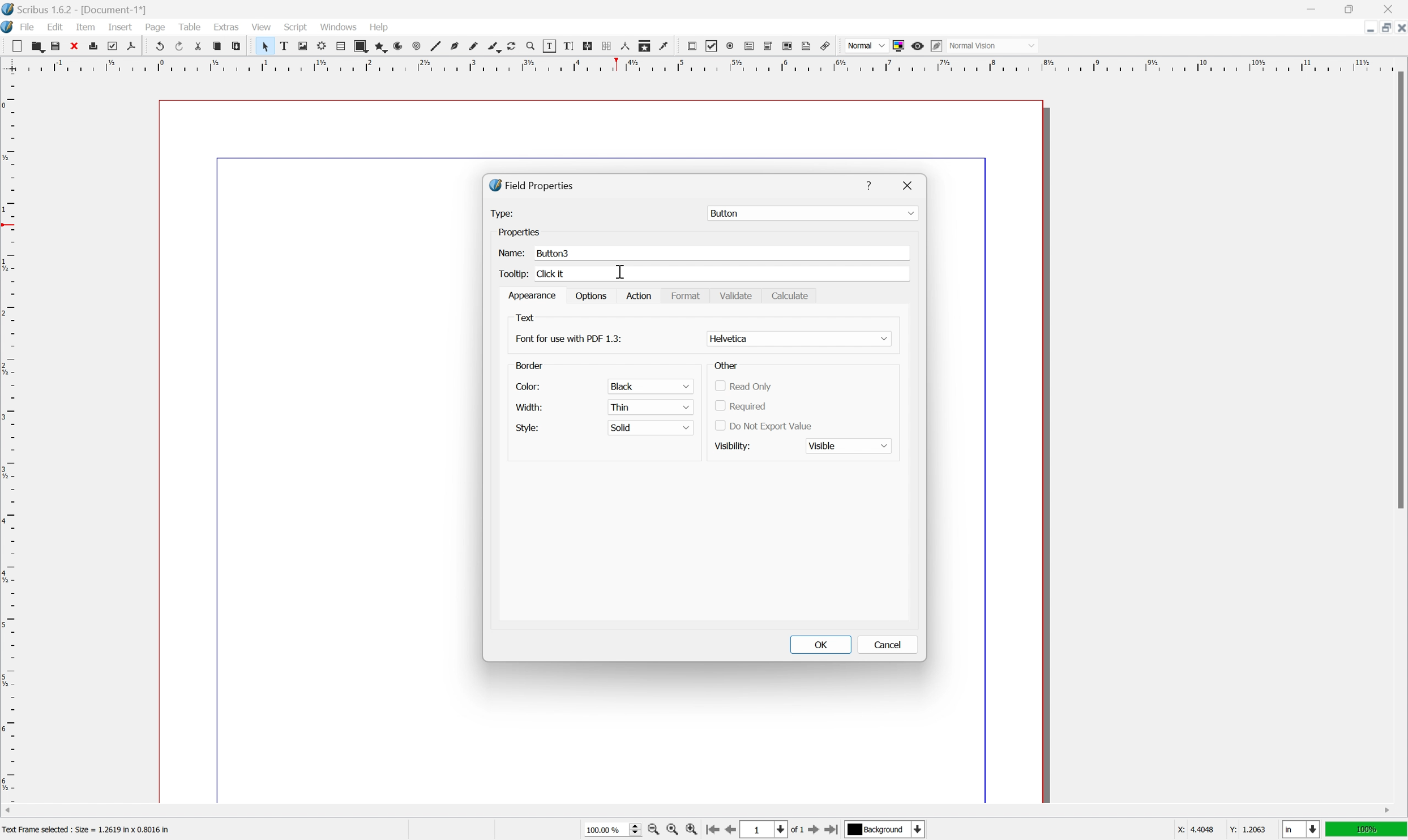 This screenshot has height=840, width=1408. Describe the element at coordinates (849, 444) in the screenshot. I see `Visible` at that location.